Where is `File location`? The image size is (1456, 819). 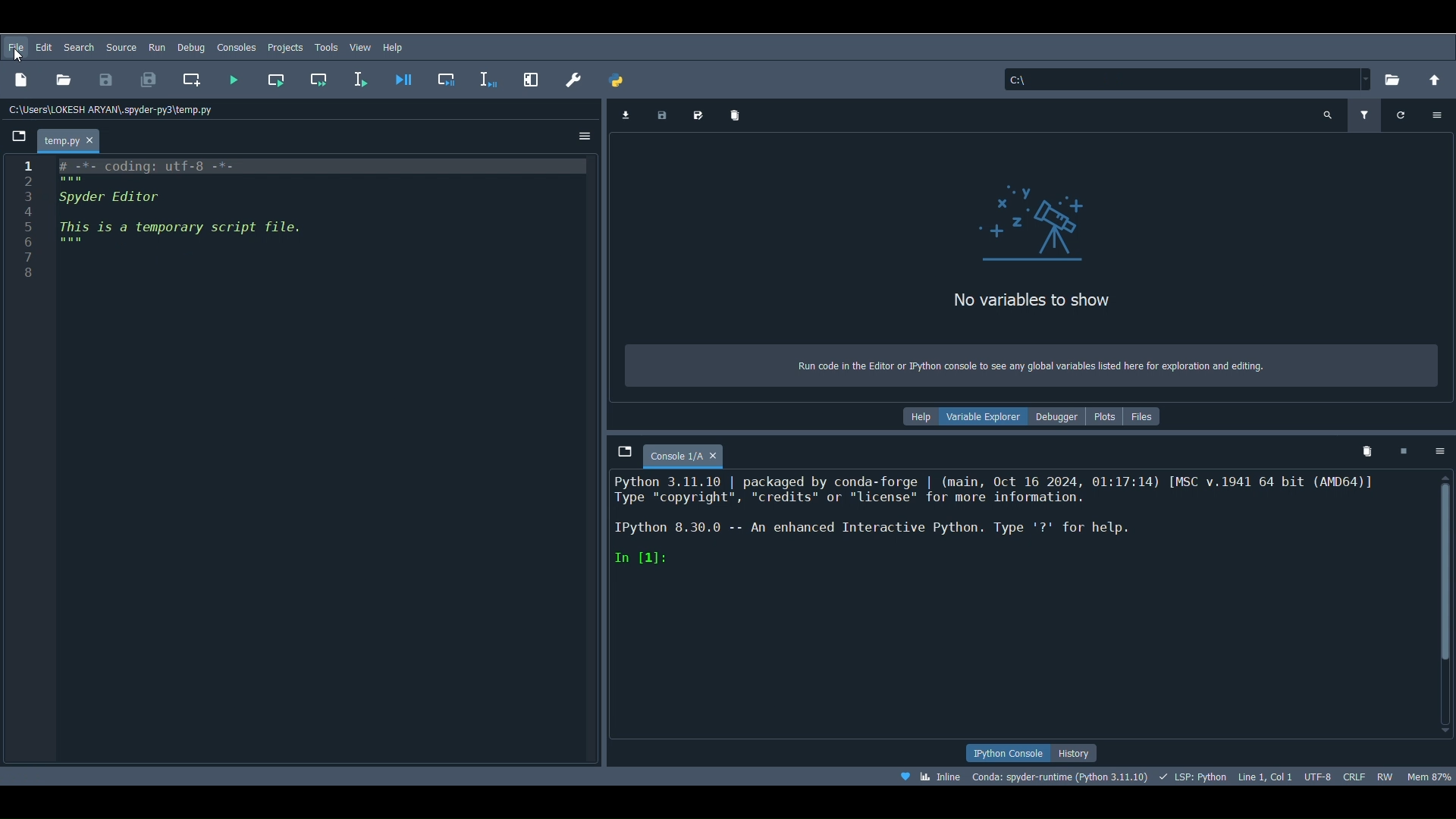
File location is located at coordinates (1188, 77).